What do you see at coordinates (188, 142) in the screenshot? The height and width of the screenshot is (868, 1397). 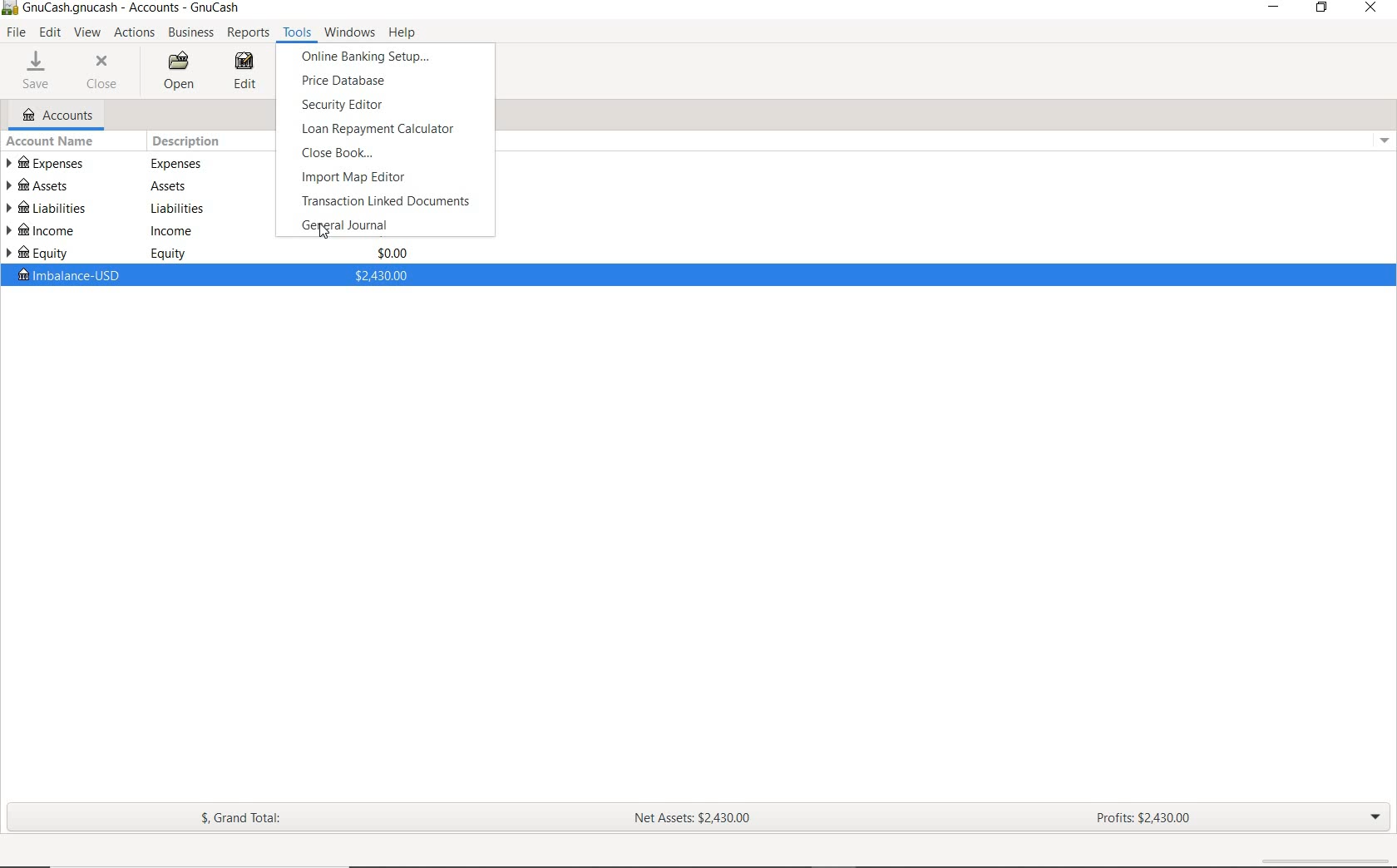 I see `DESCRIPTION` at bounding box center [188, 142].